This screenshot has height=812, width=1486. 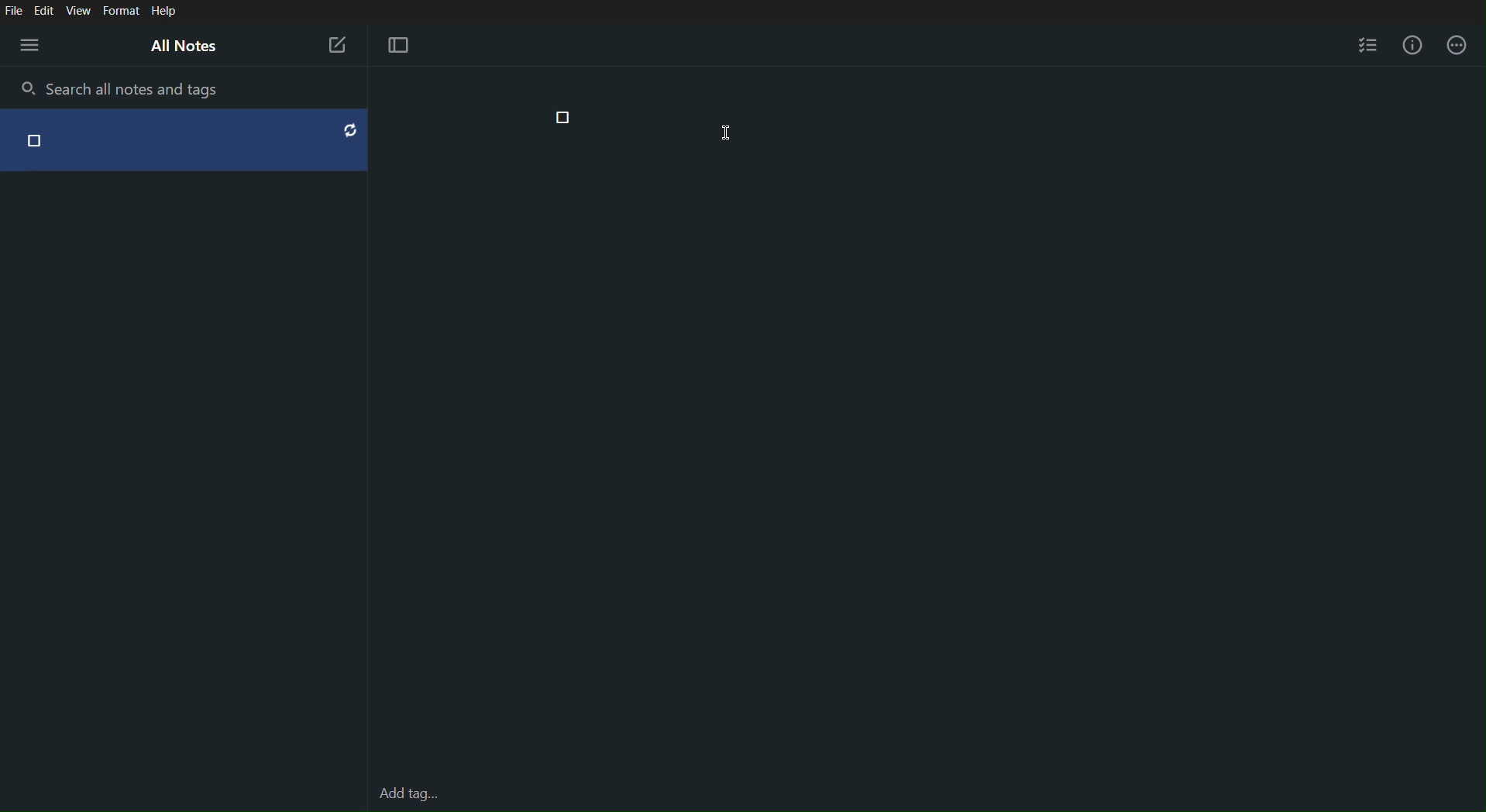 What do you see at coordinates (1457, 45) in the screenshot?
I see `More` at bounding box center [1457, 45].